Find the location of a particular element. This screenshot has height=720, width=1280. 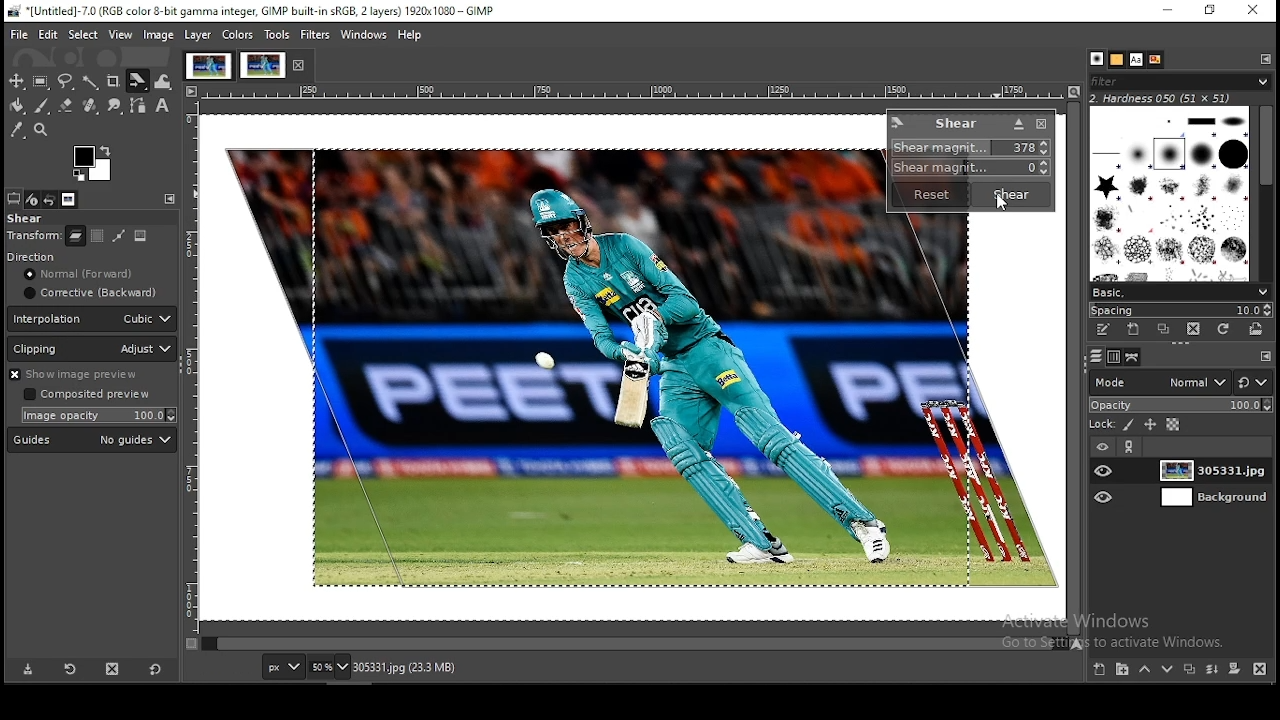

image is located at coordinates (158, 35).